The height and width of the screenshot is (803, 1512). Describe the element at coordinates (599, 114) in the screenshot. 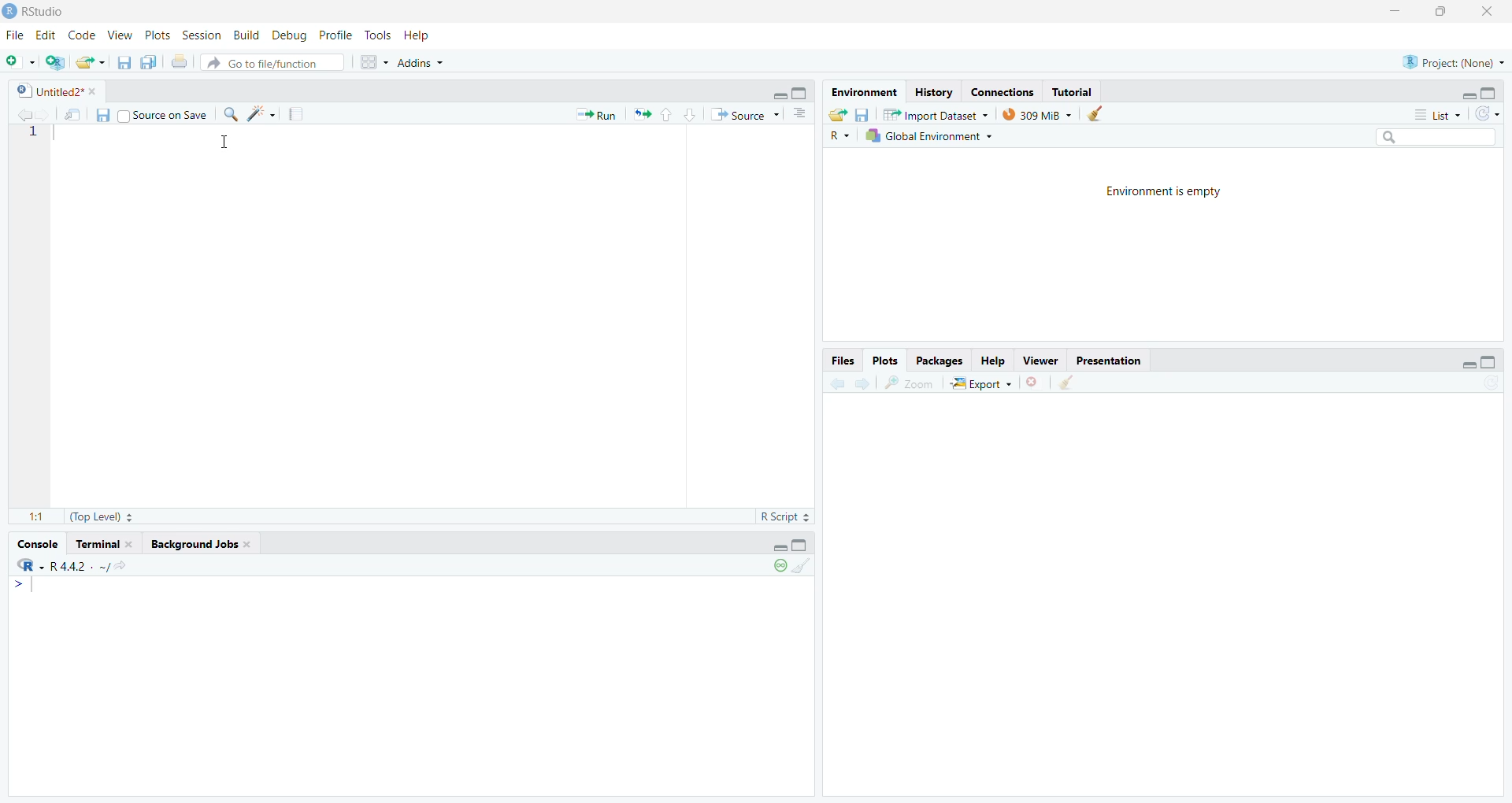

I see `Run` at that location.